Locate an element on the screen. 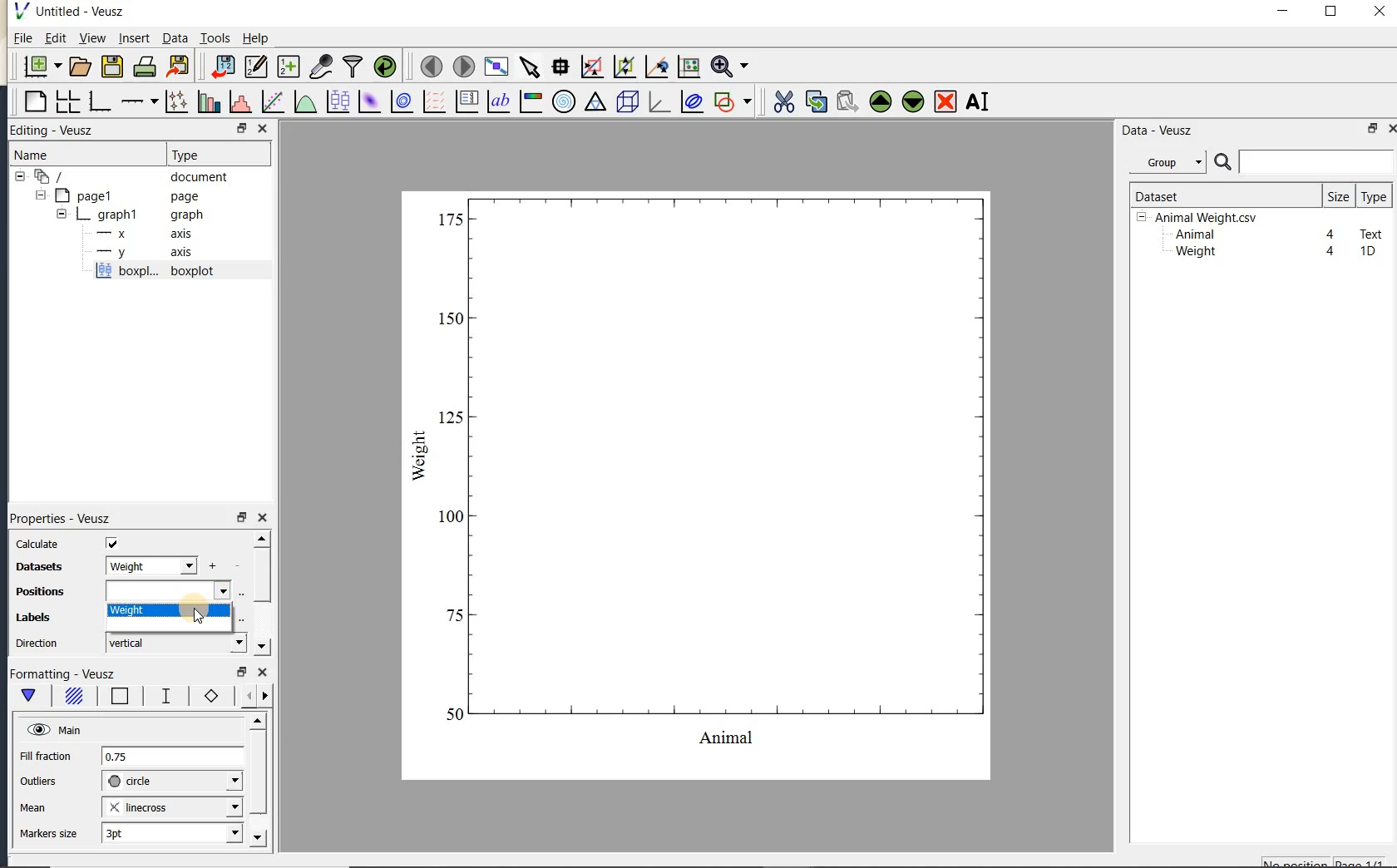  box border is located at coordinates (116, 698).